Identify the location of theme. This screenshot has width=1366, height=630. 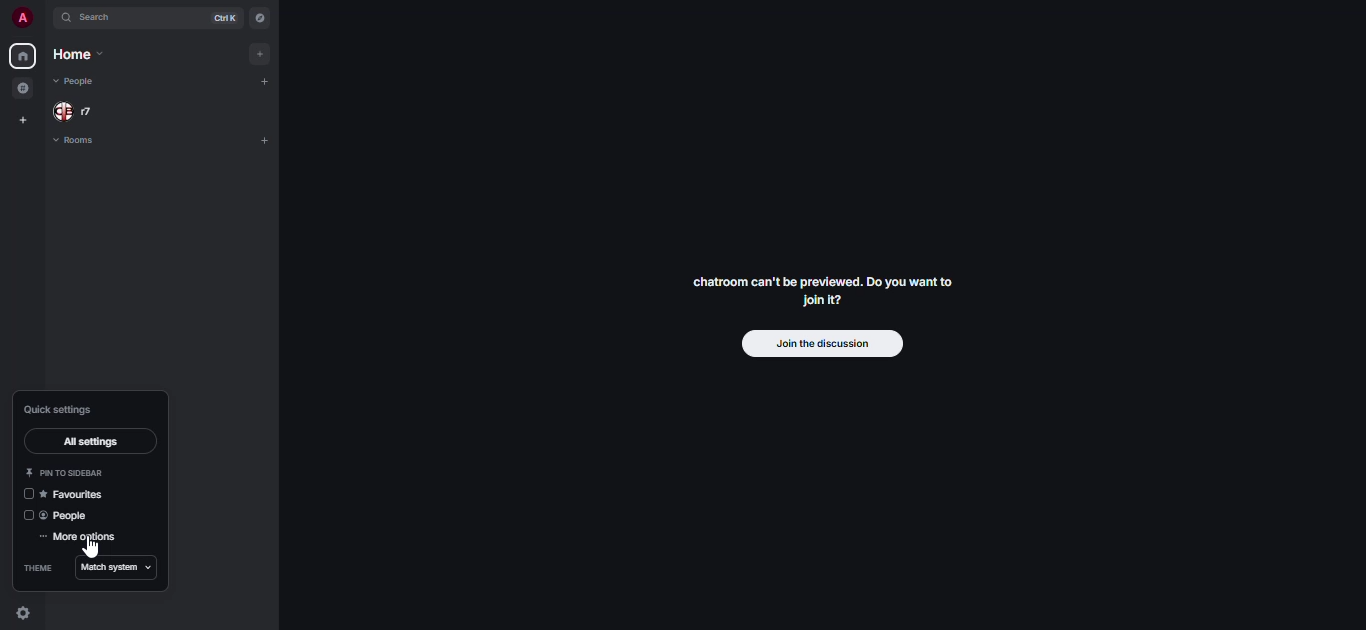
(39, 569).